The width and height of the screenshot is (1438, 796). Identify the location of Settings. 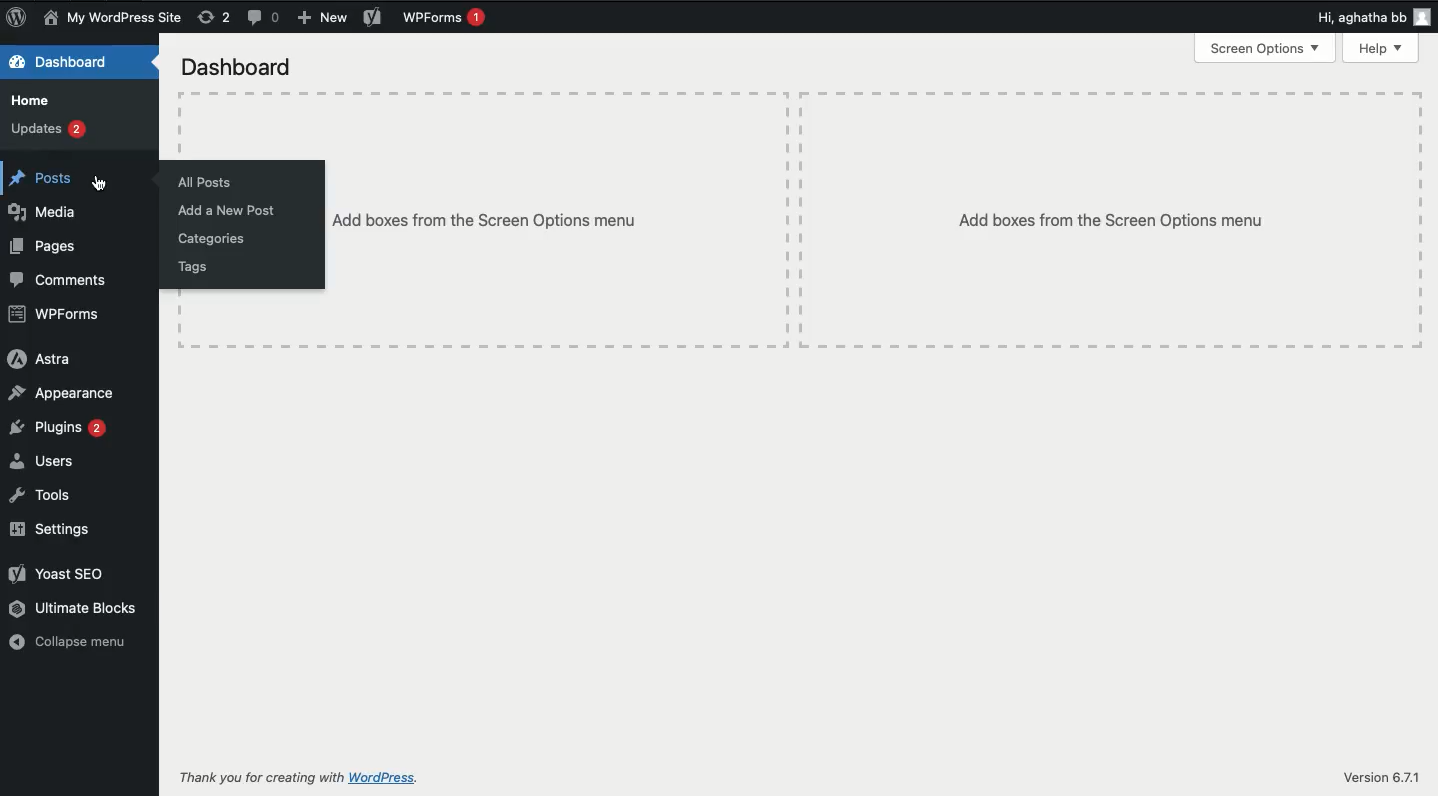
(50, 529).